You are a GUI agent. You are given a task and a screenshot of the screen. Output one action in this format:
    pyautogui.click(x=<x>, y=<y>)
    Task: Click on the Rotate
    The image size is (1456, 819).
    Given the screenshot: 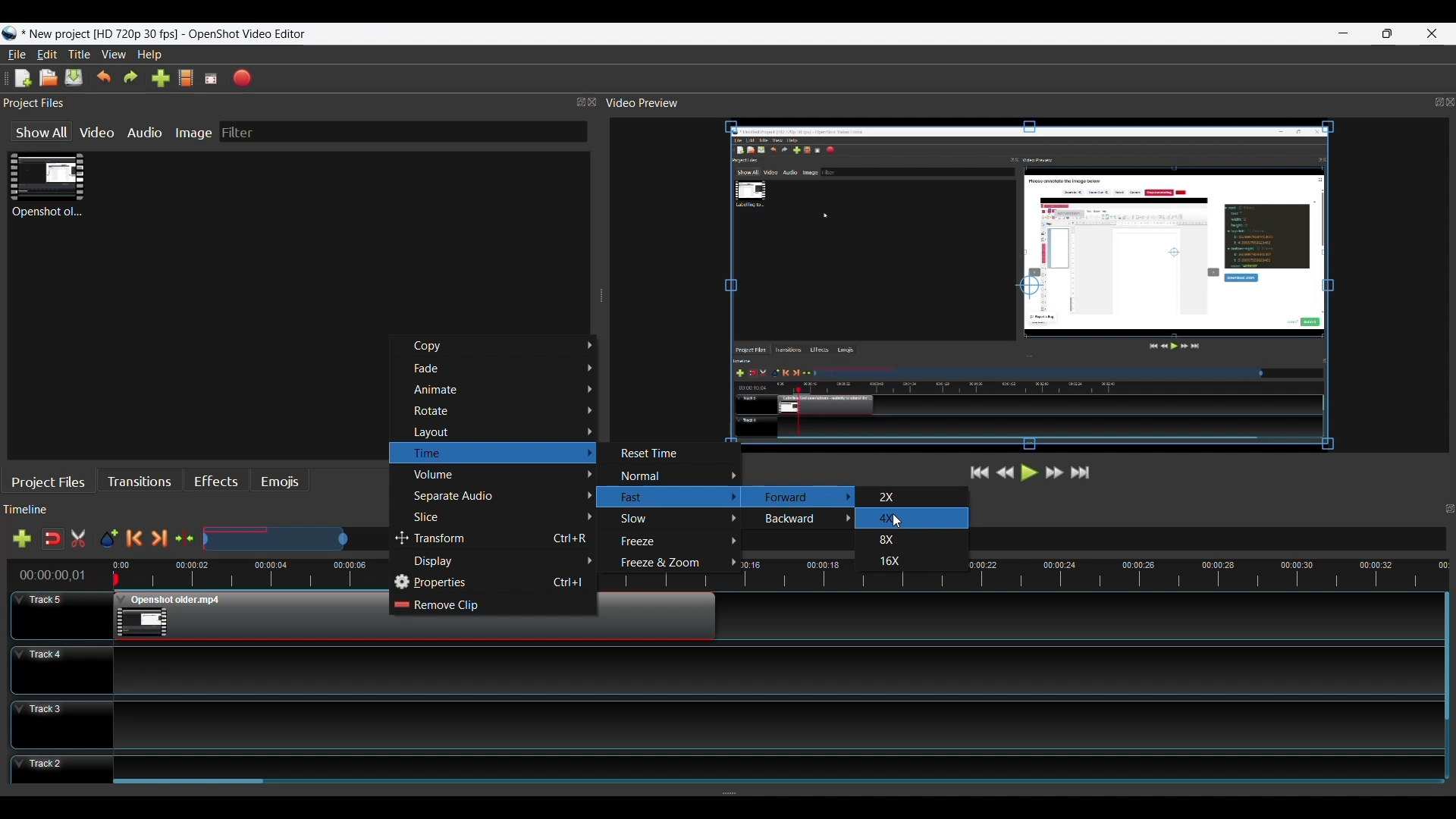 What is the action you would take?
    pyautogui.click(x=503, y=412)
    